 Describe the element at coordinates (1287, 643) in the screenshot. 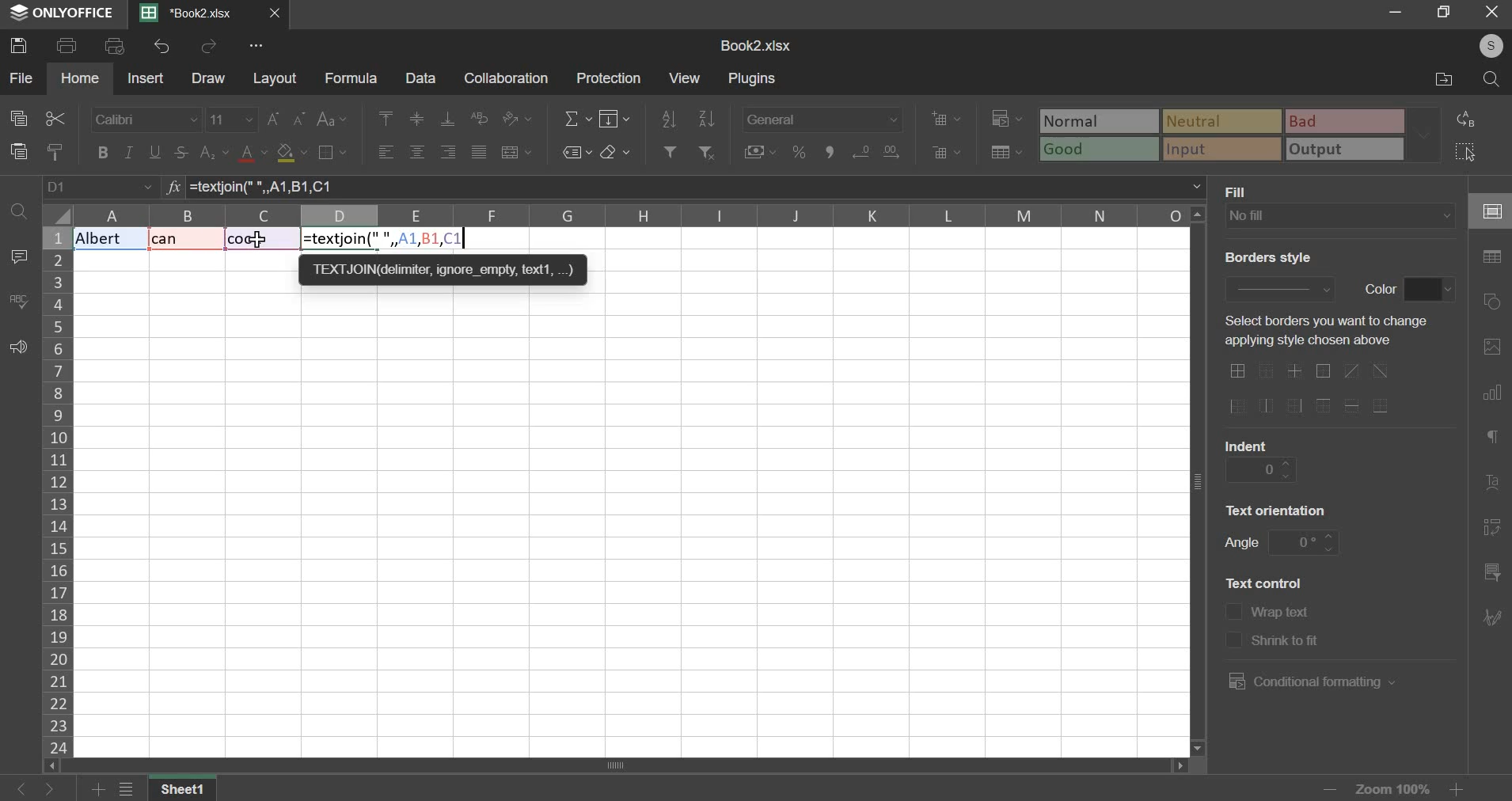

I see `text` at that location.